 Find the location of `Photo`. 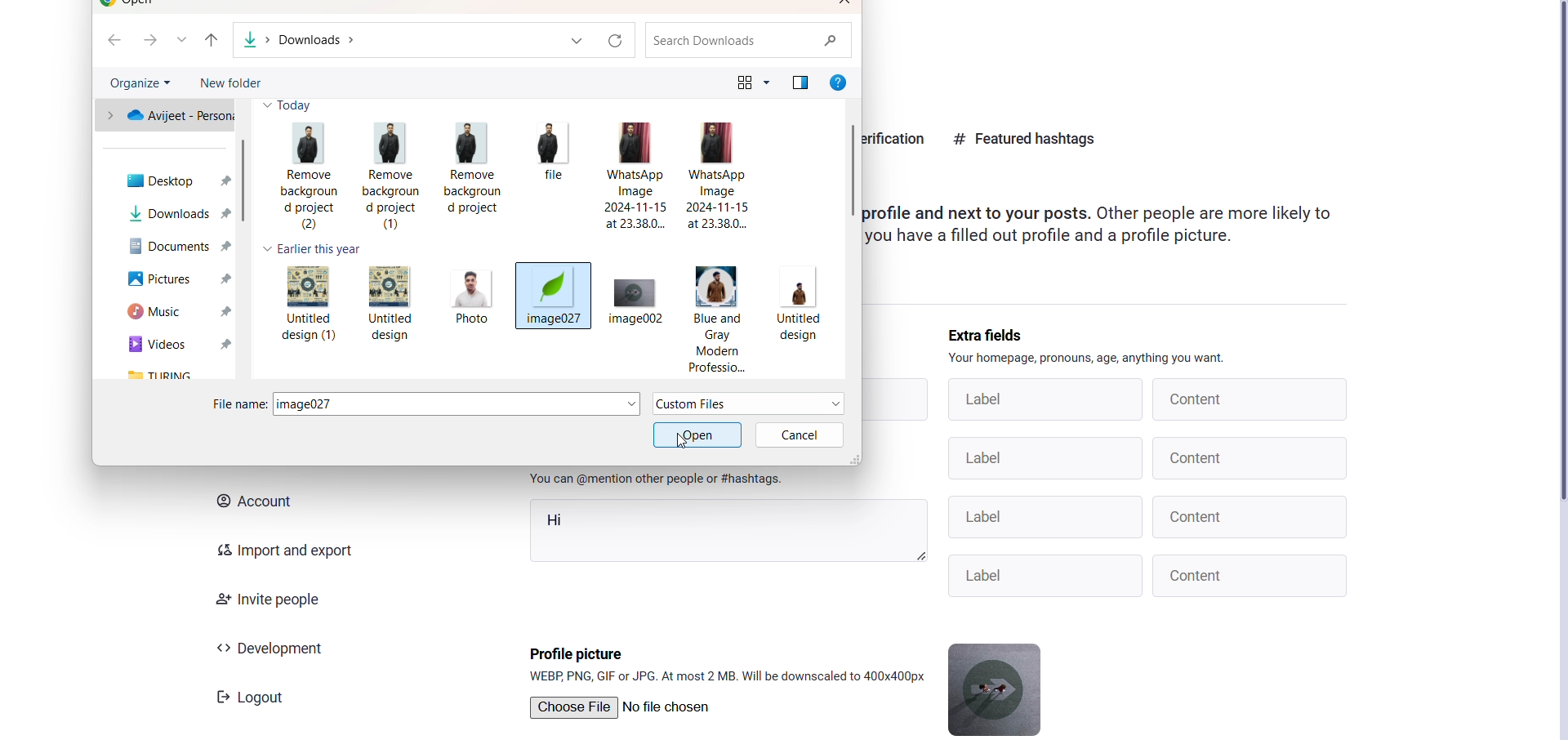

Photo is located at coordinates (469, 311).